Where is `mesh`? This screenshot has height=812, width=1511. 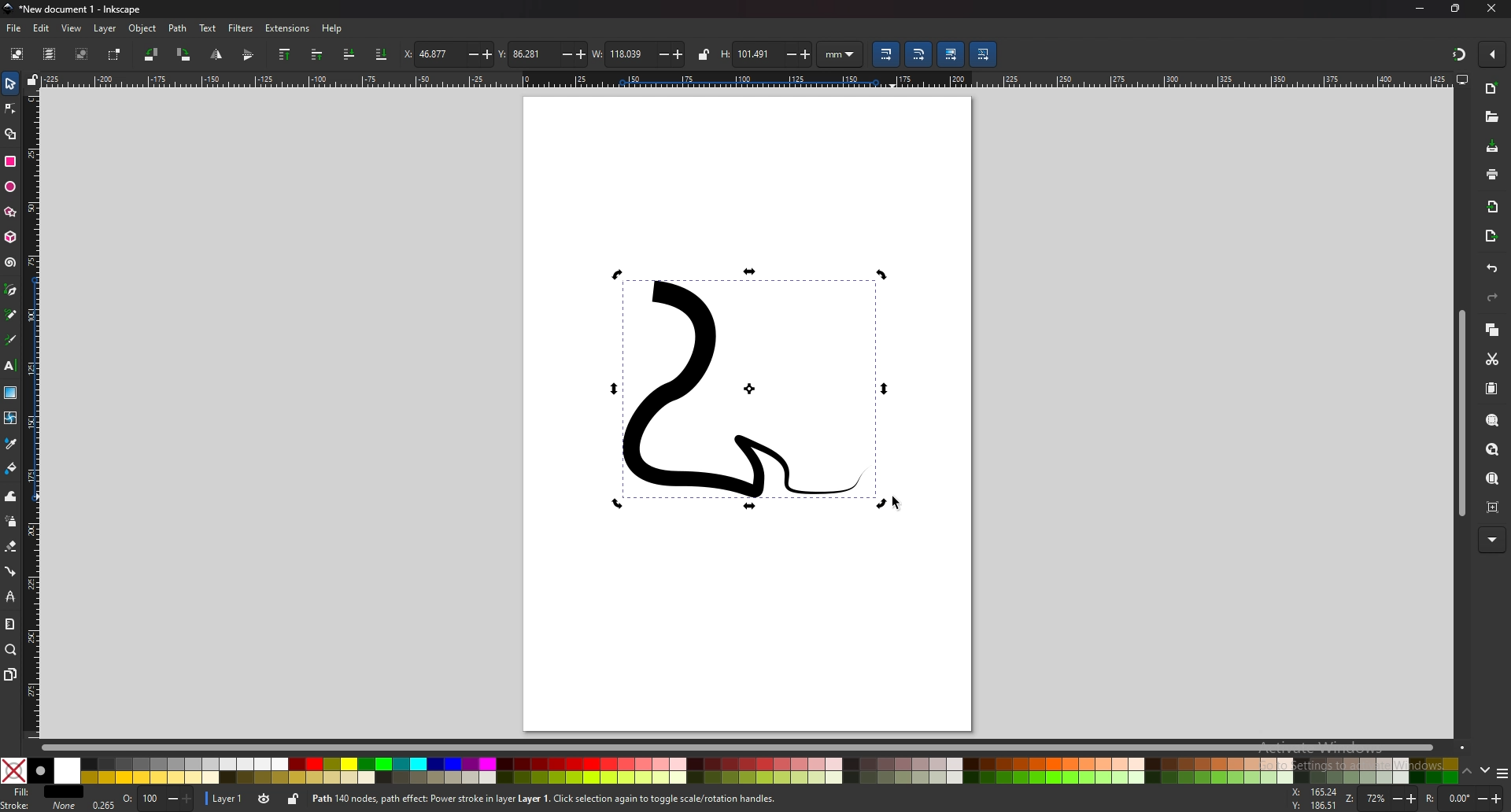
mesh is located at coordinates (10, 416).